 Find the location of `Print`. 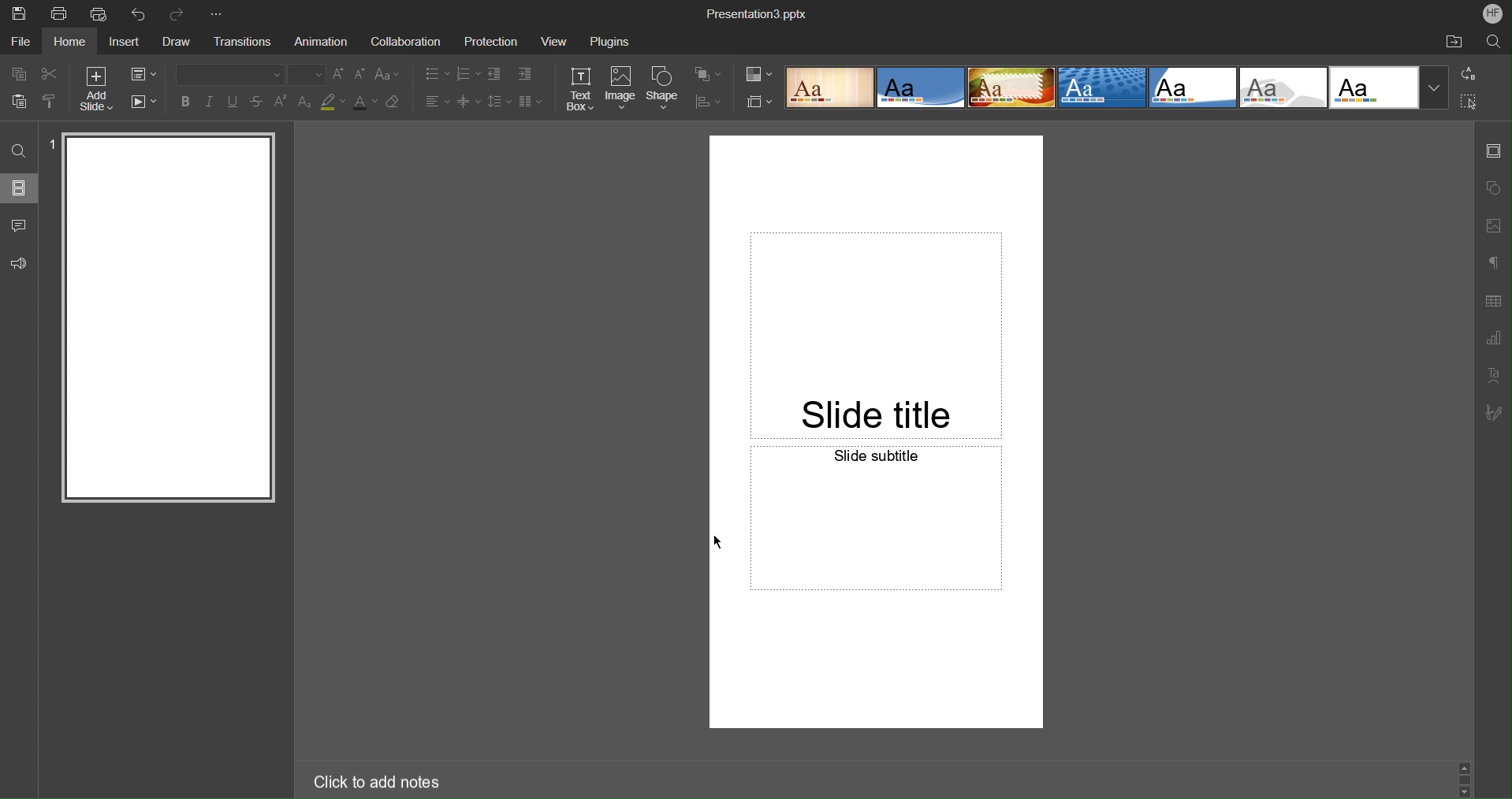

Print is located at coordinates (59, 13).